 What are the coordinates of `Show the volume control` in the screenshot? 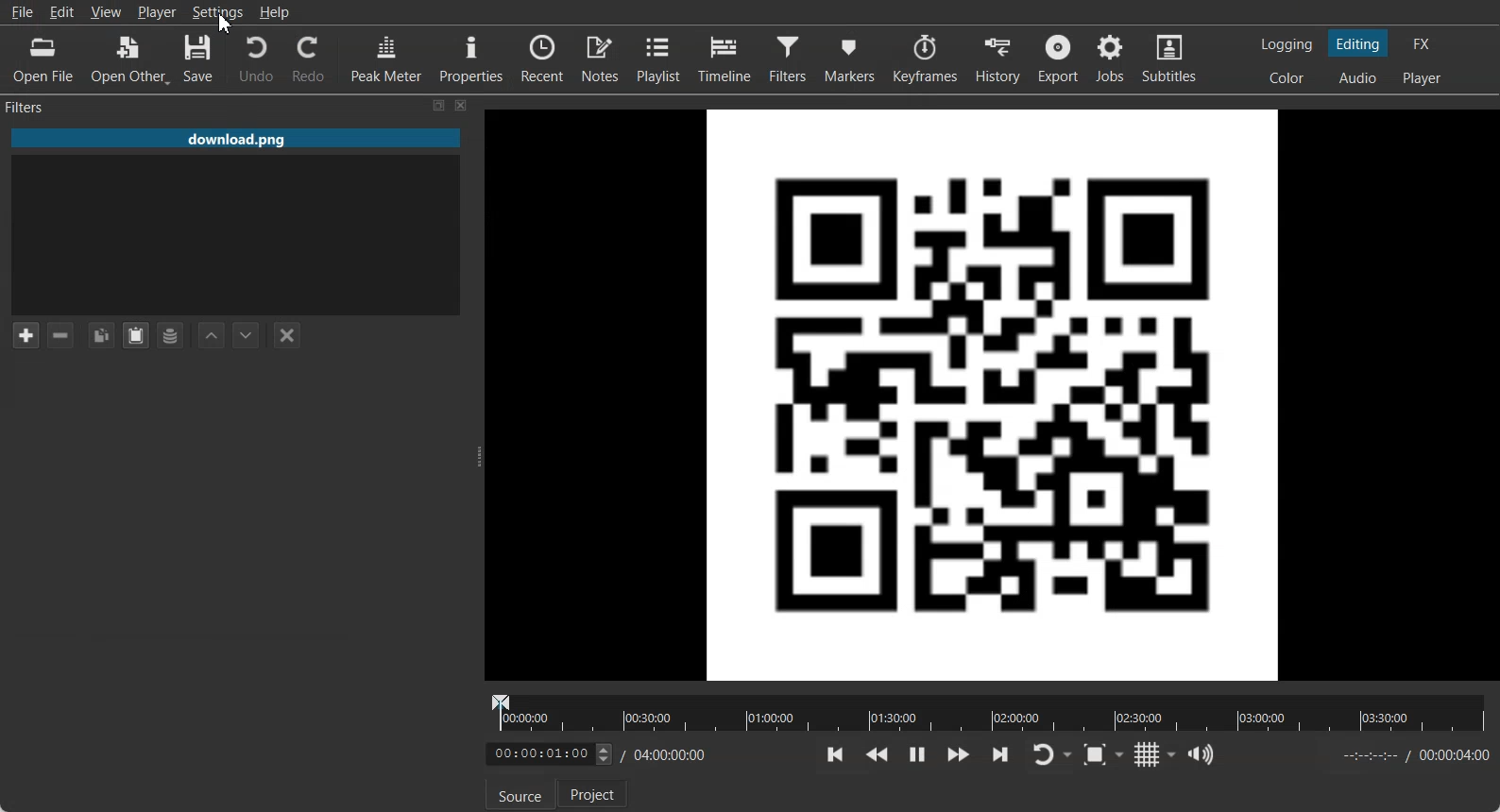 It's located at (1203, 754).